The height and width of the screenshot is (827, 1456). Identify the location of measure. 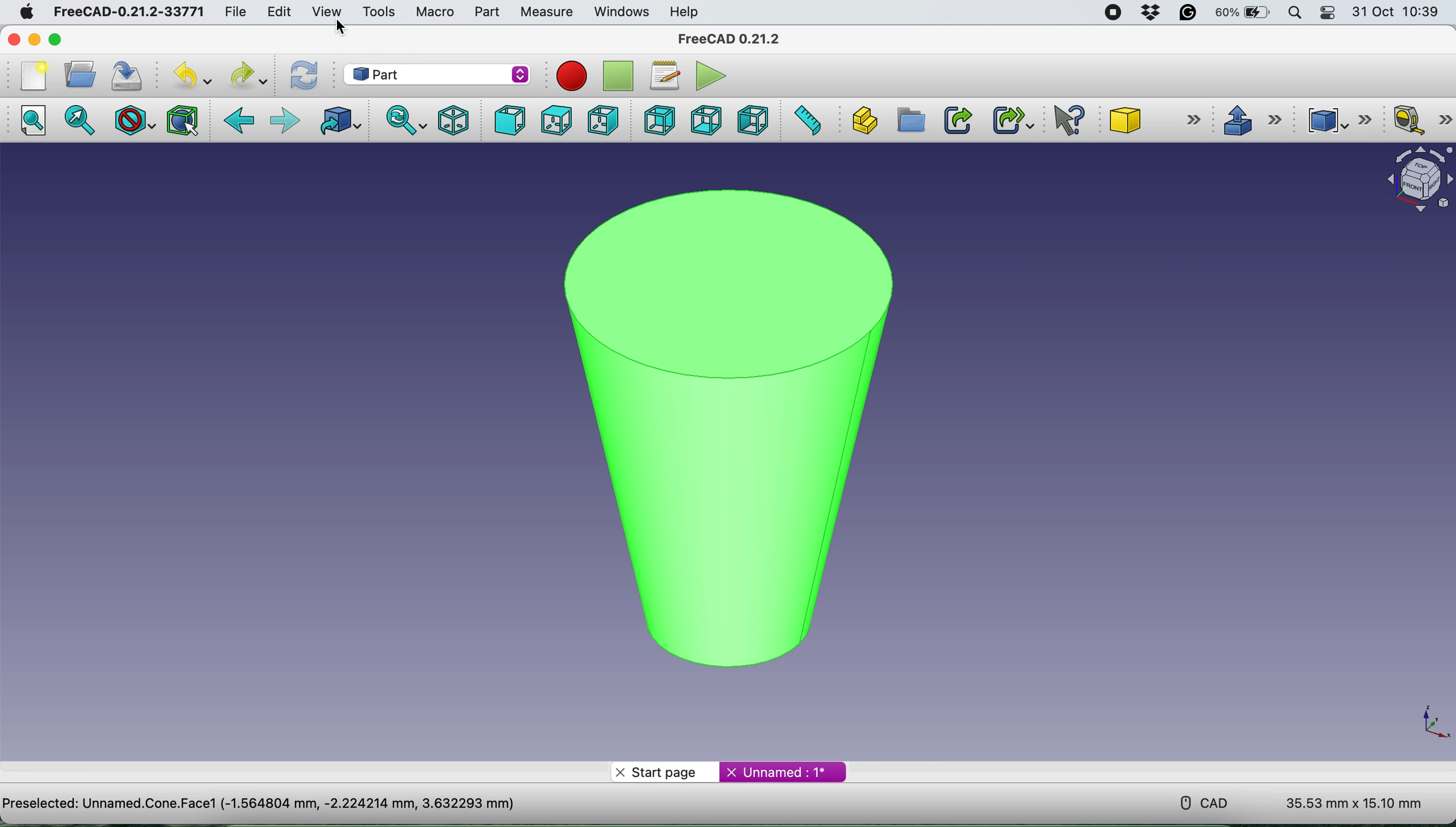
(546, 12).